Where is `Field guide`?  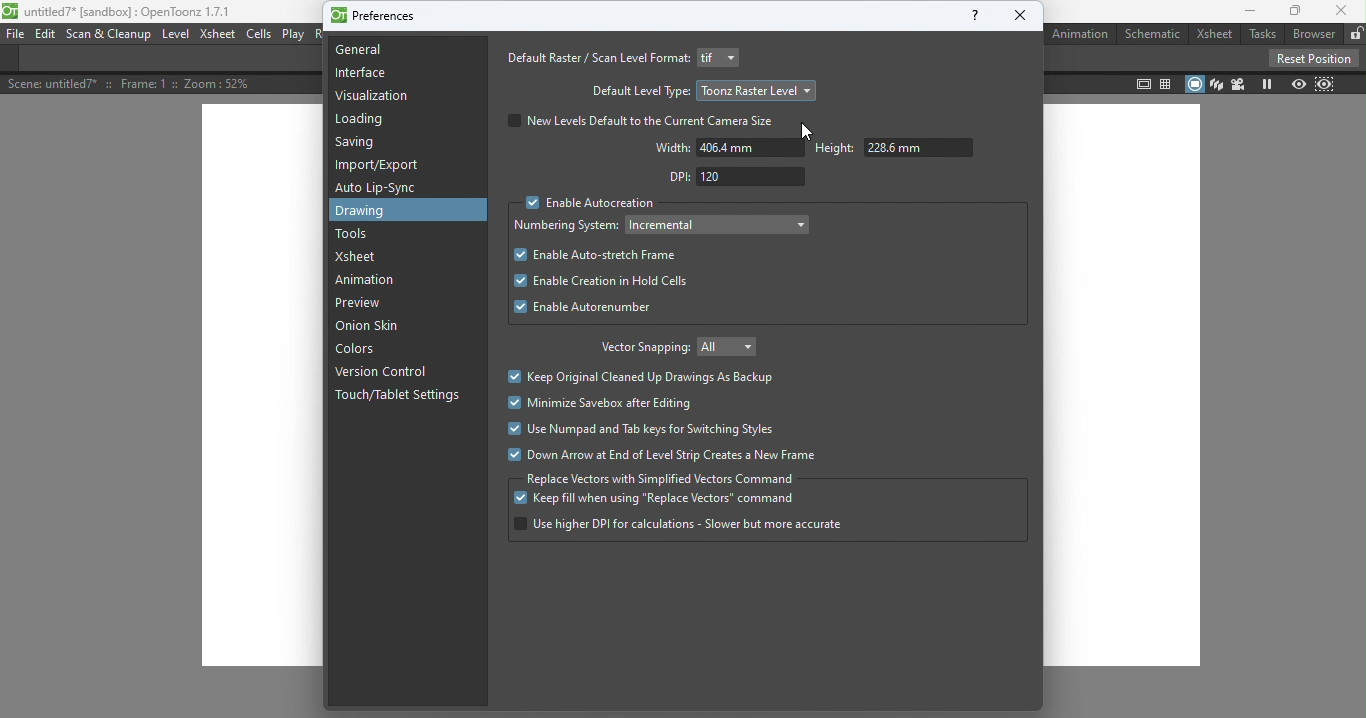 Field guide is located at coordinates (1168, 82).